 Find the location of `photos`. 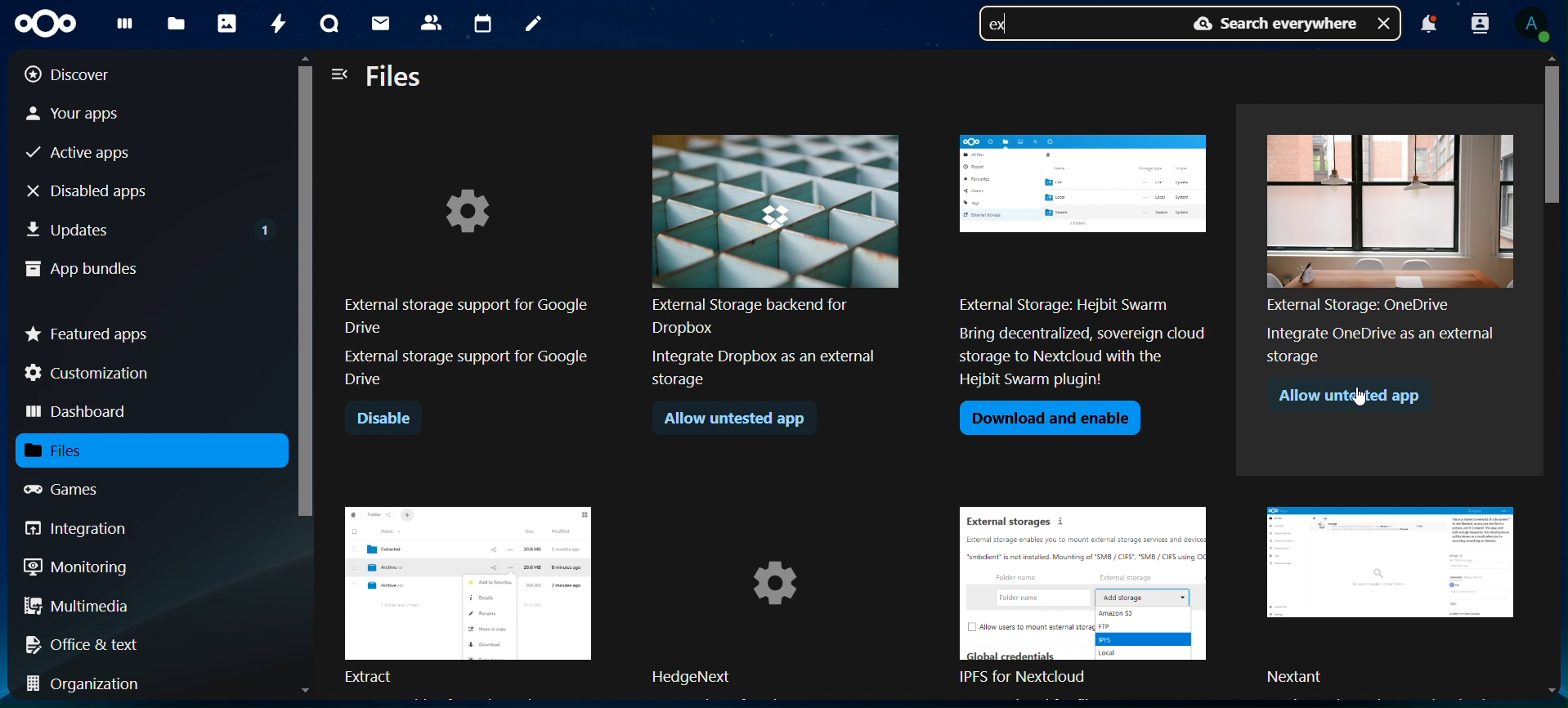

photos is located at coordinates (226, 22).